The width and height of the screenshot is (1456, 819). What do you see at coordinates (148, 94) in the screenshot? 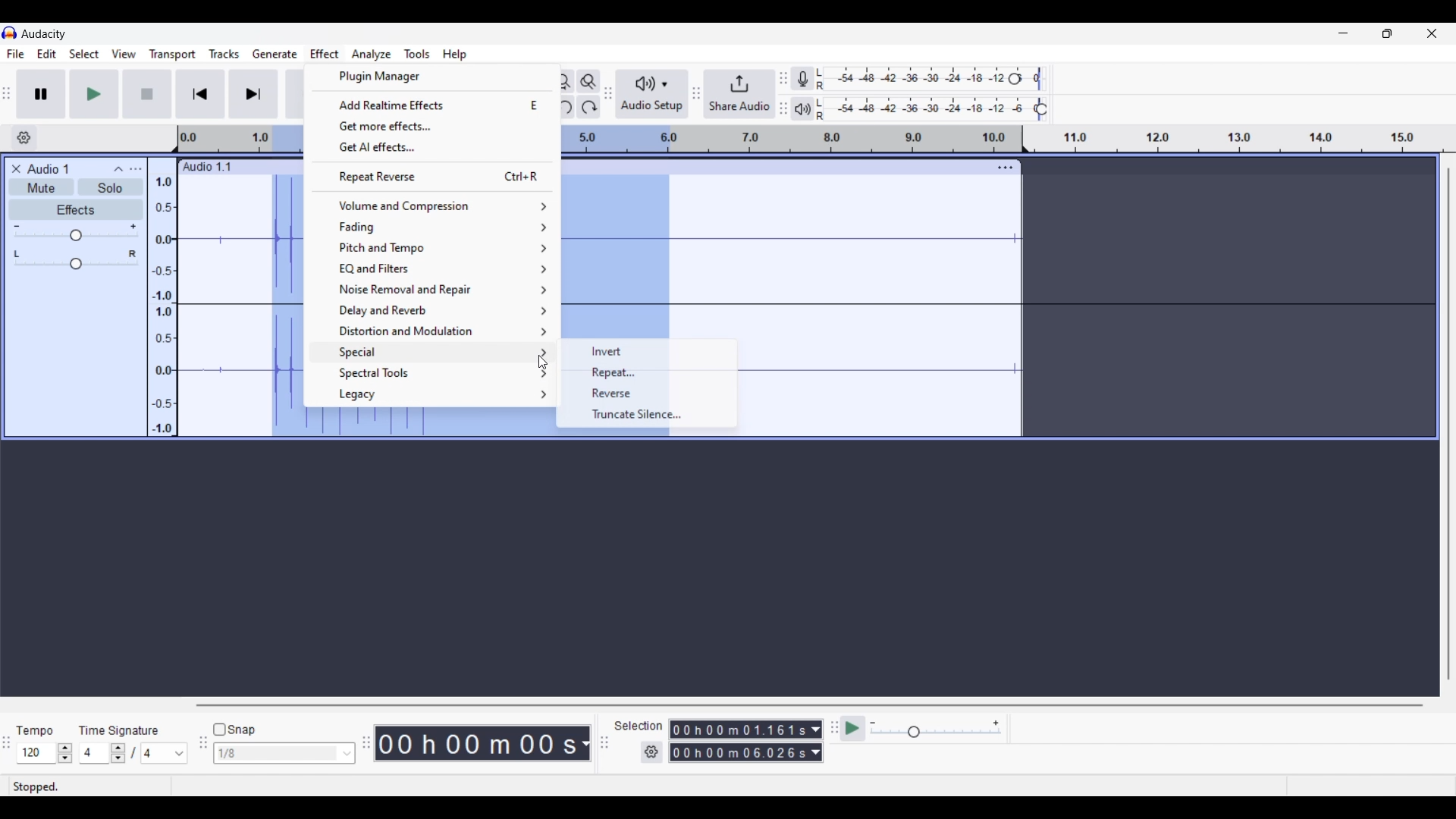
I see `Stop` at bounding box center [148, 94].